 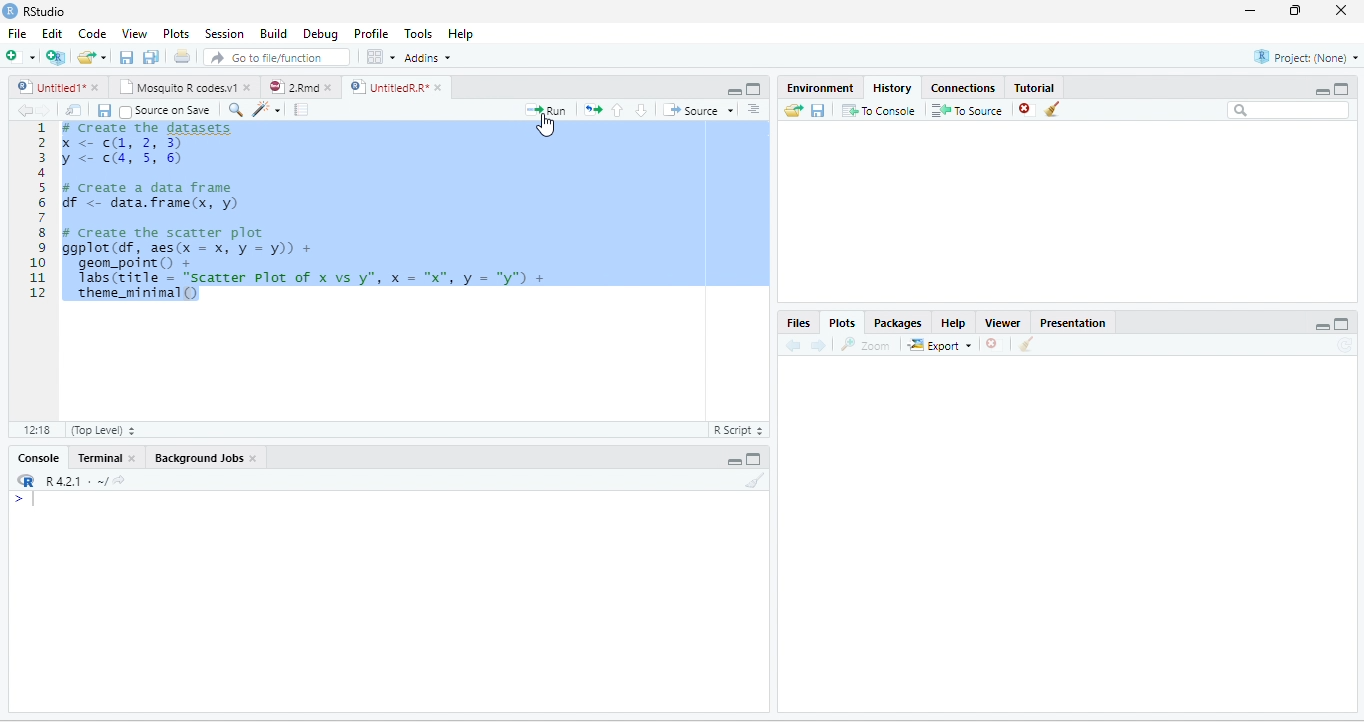 I want to click on Tutorial, so click(x=1035, y=86).